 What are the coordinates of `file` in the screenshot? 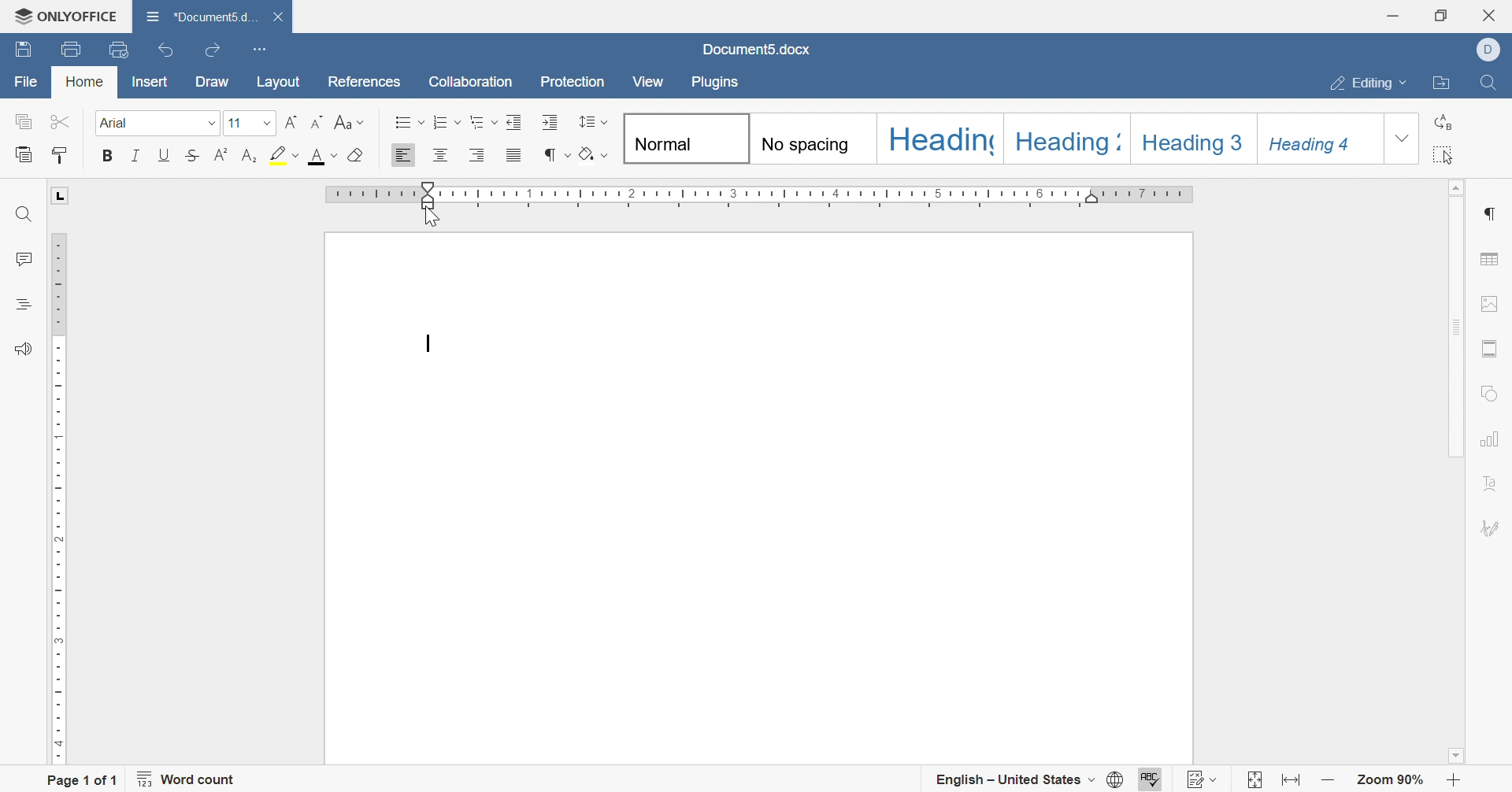 It's located at (28, 83).